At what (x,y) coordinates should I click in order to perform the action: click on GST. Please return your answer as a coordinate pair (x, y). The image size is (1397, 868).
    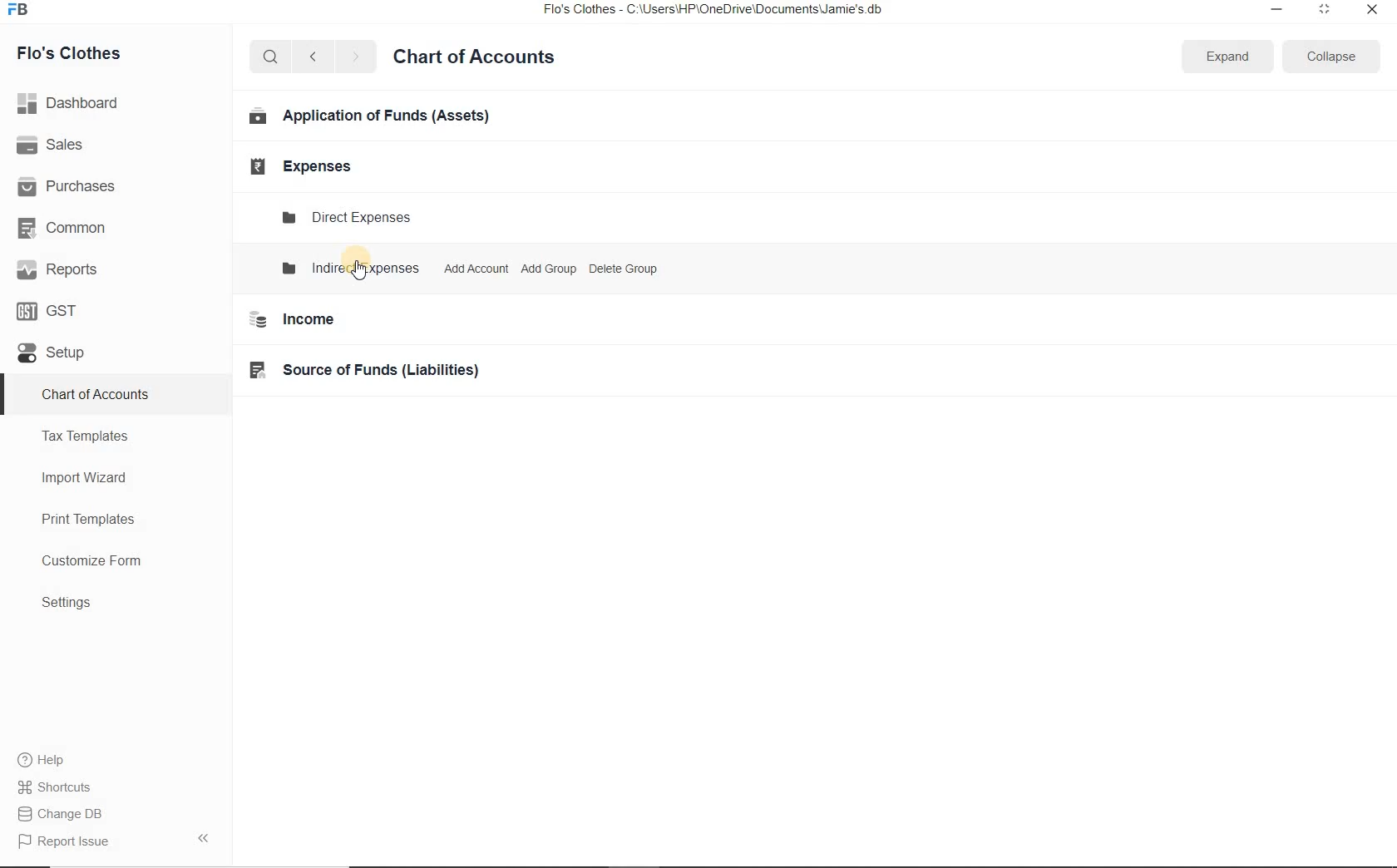
    Looking at the image, I should click on (49, 310).